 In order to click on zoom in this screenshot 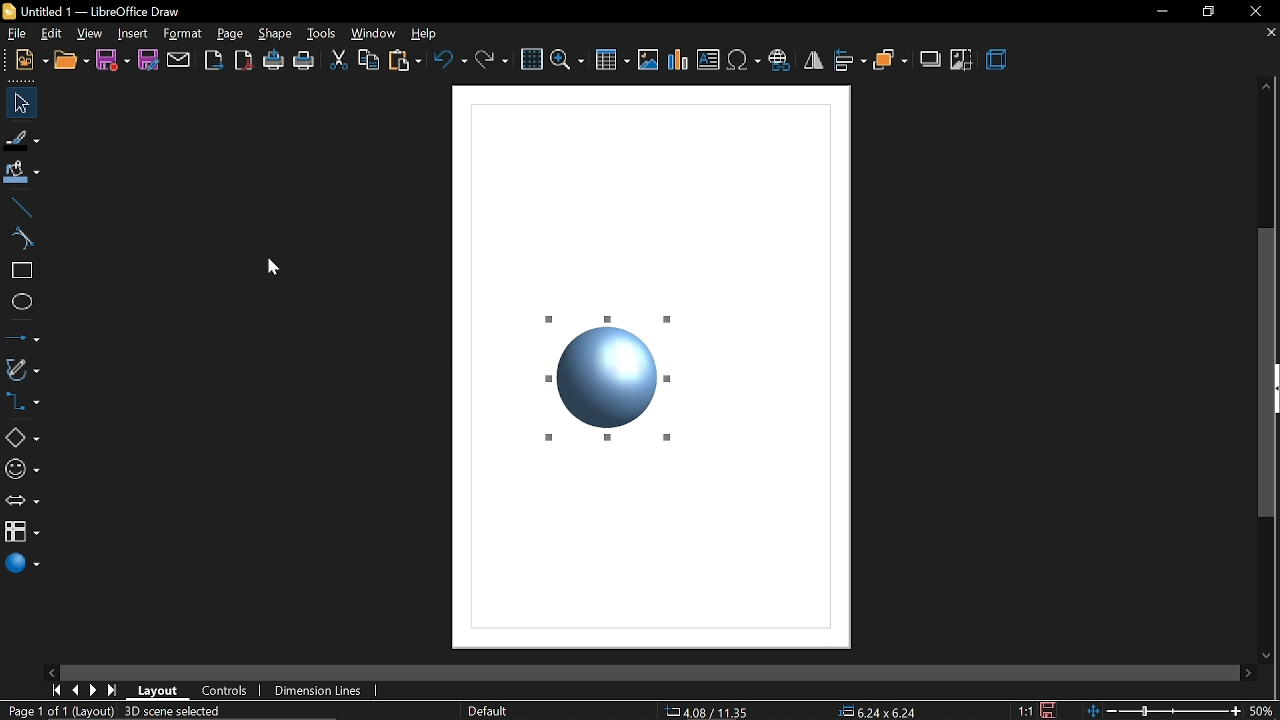, I will do `click(567, 59)`.